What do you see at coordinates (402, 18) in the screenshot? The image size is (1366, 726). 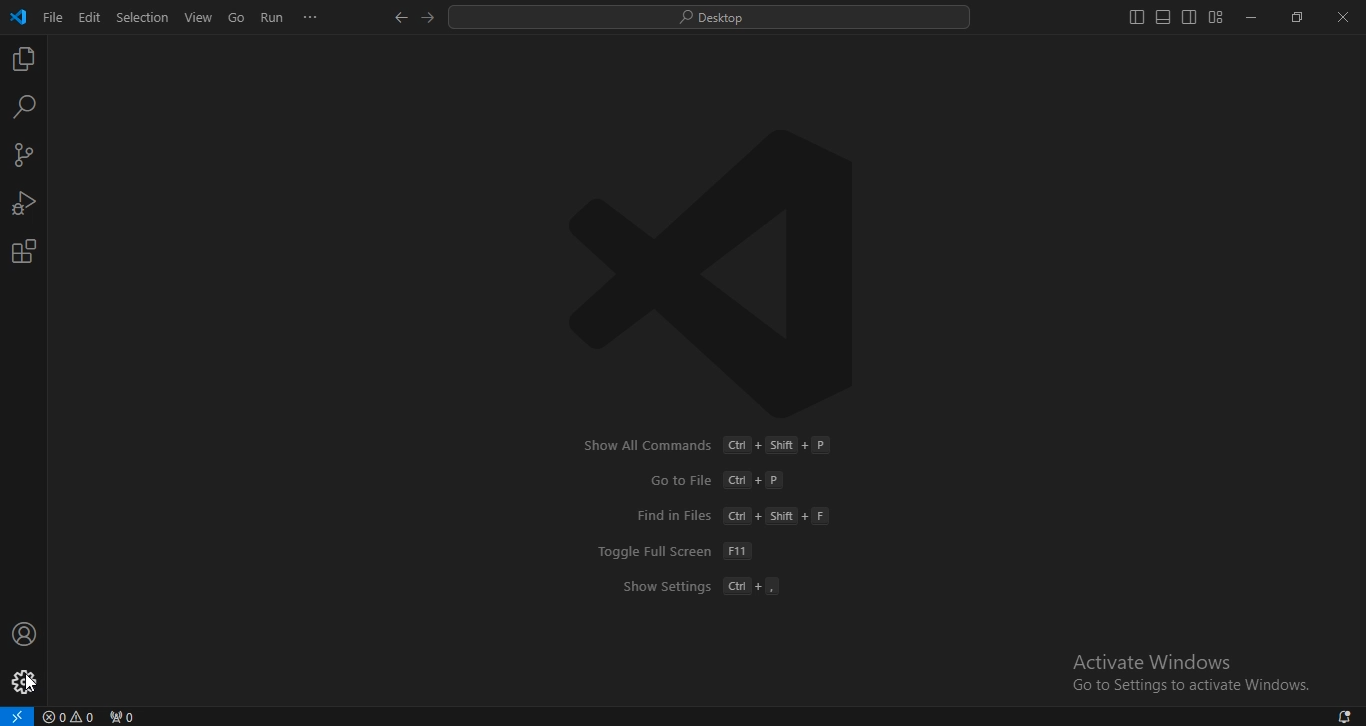 I see `go back` at bounding box center [402, 18].